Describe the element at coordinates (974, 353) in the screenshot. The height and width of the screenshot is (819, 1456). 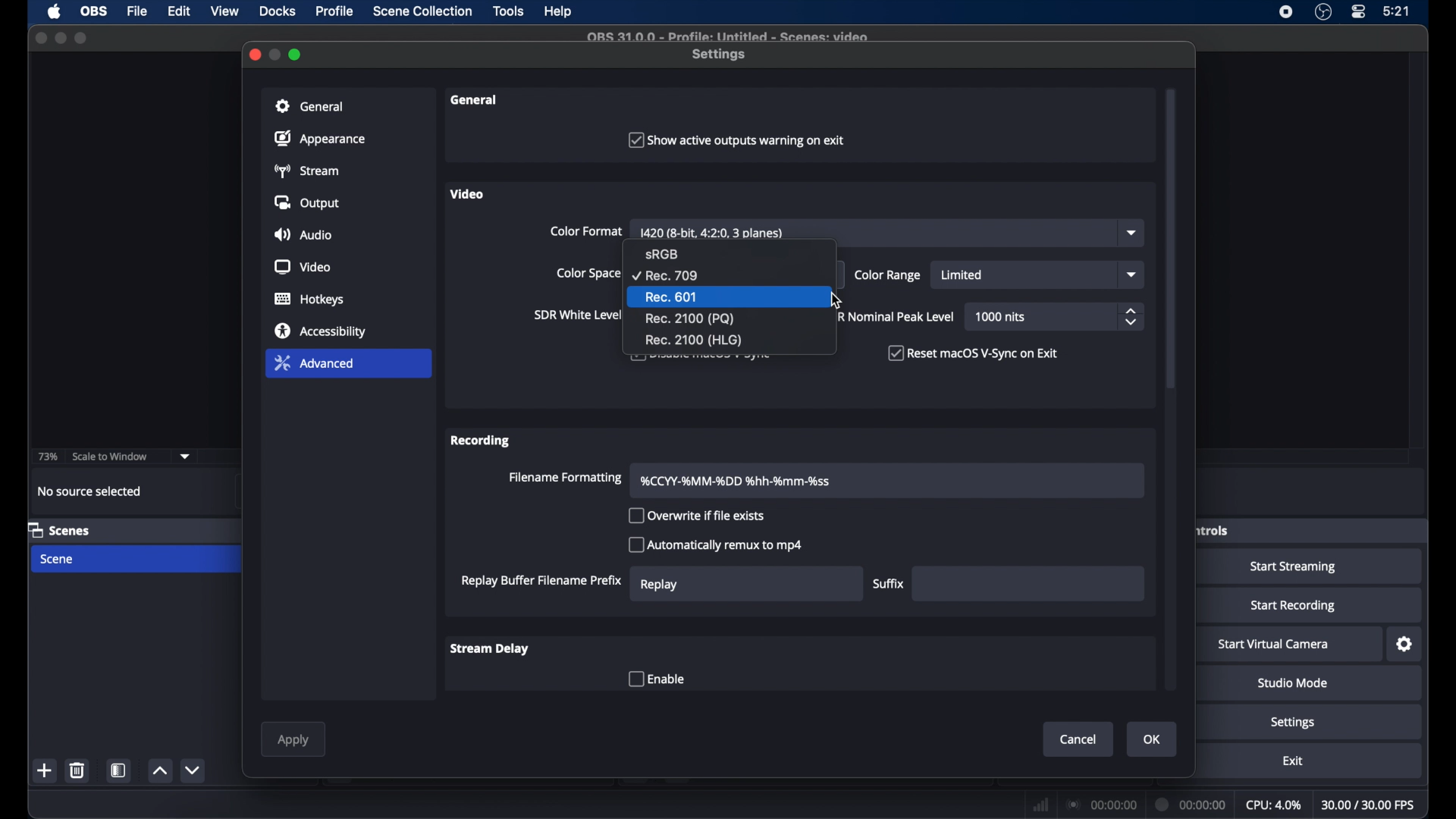
I see `reset macOS V-Sync on Exit` at that location.